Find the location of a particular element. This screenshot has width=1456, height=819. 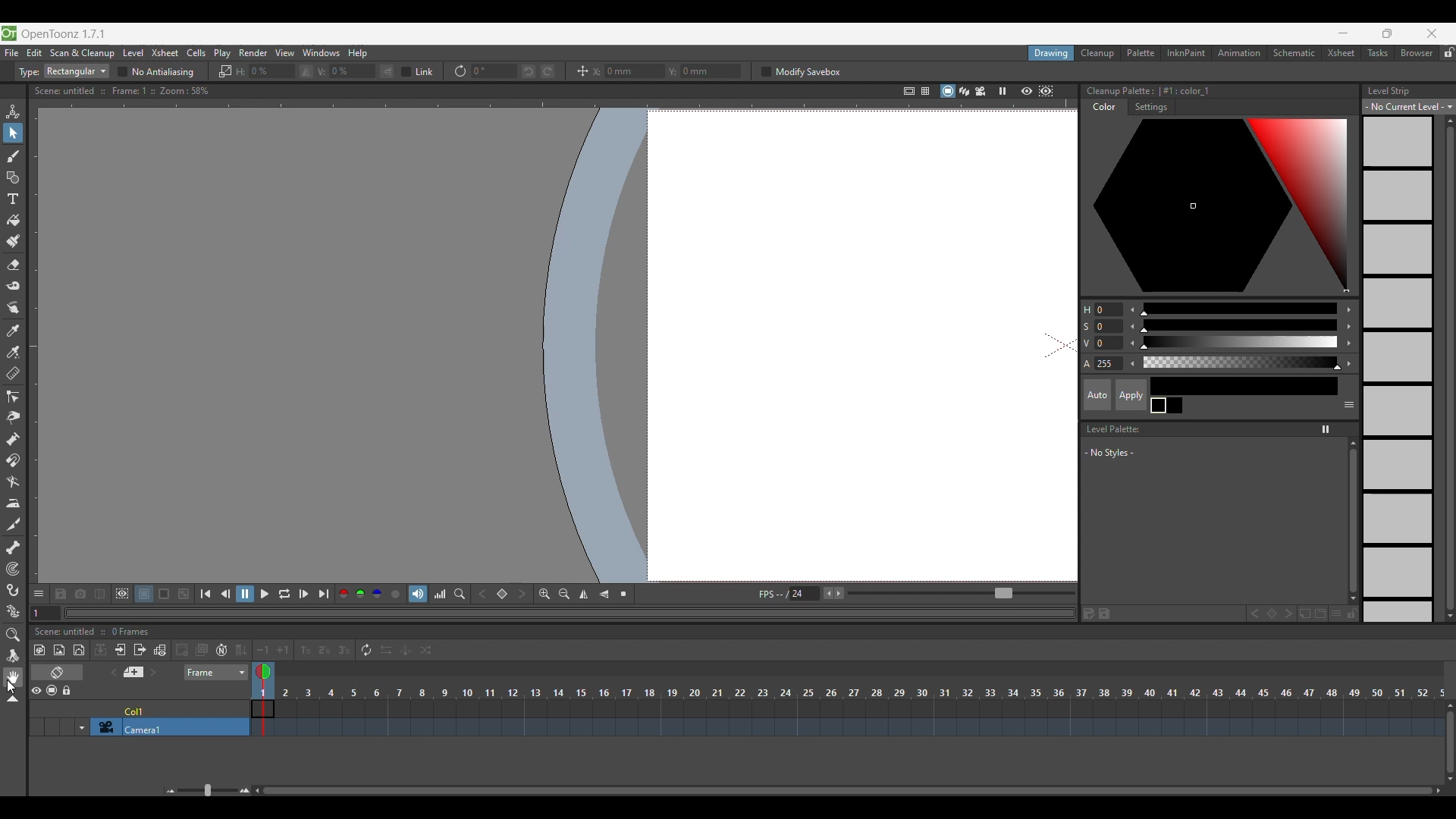

Reframe on 2's is located at coordinates (325, 650).